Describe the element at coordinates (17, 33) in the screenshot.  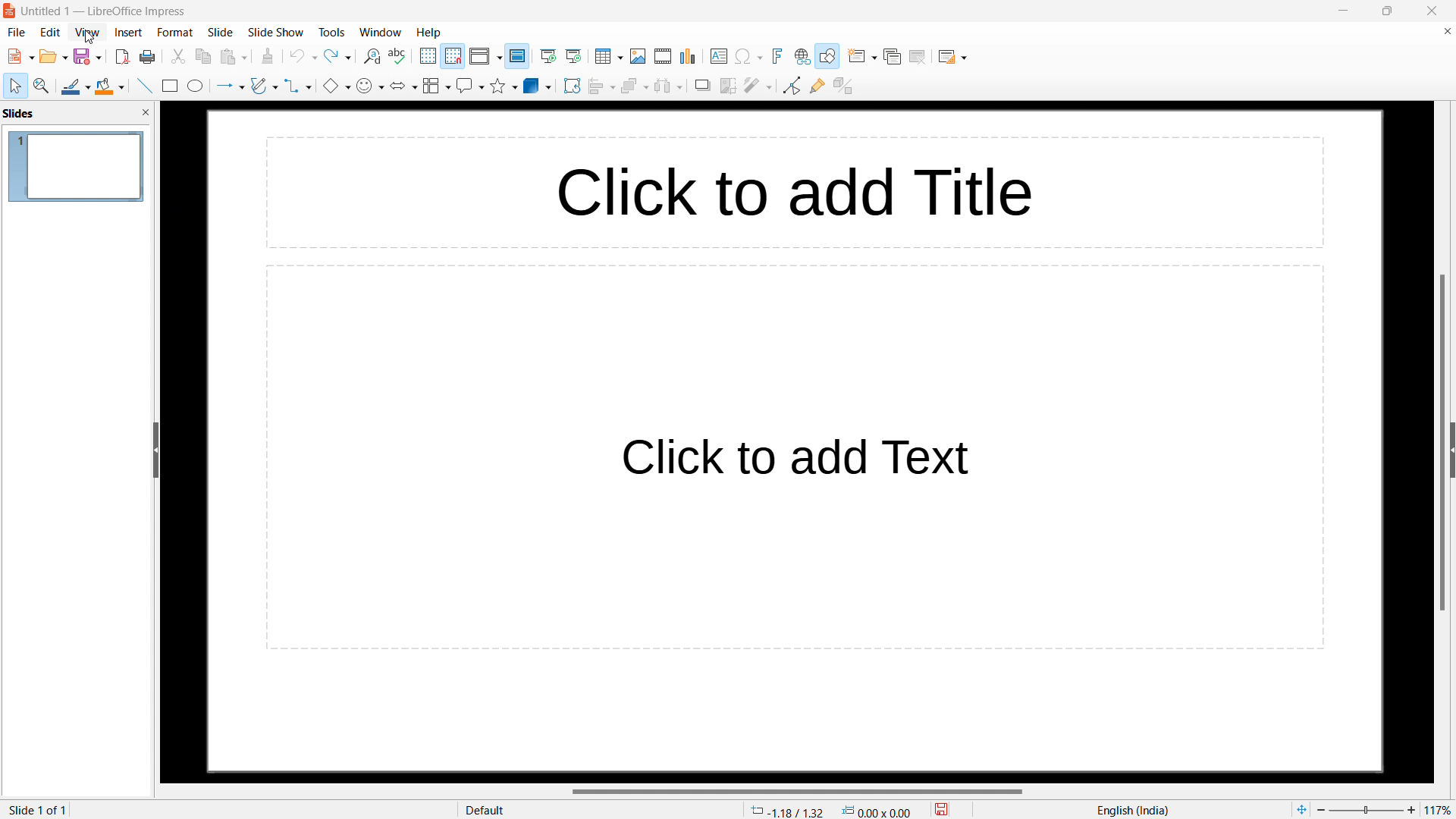
I see `file` at that location.